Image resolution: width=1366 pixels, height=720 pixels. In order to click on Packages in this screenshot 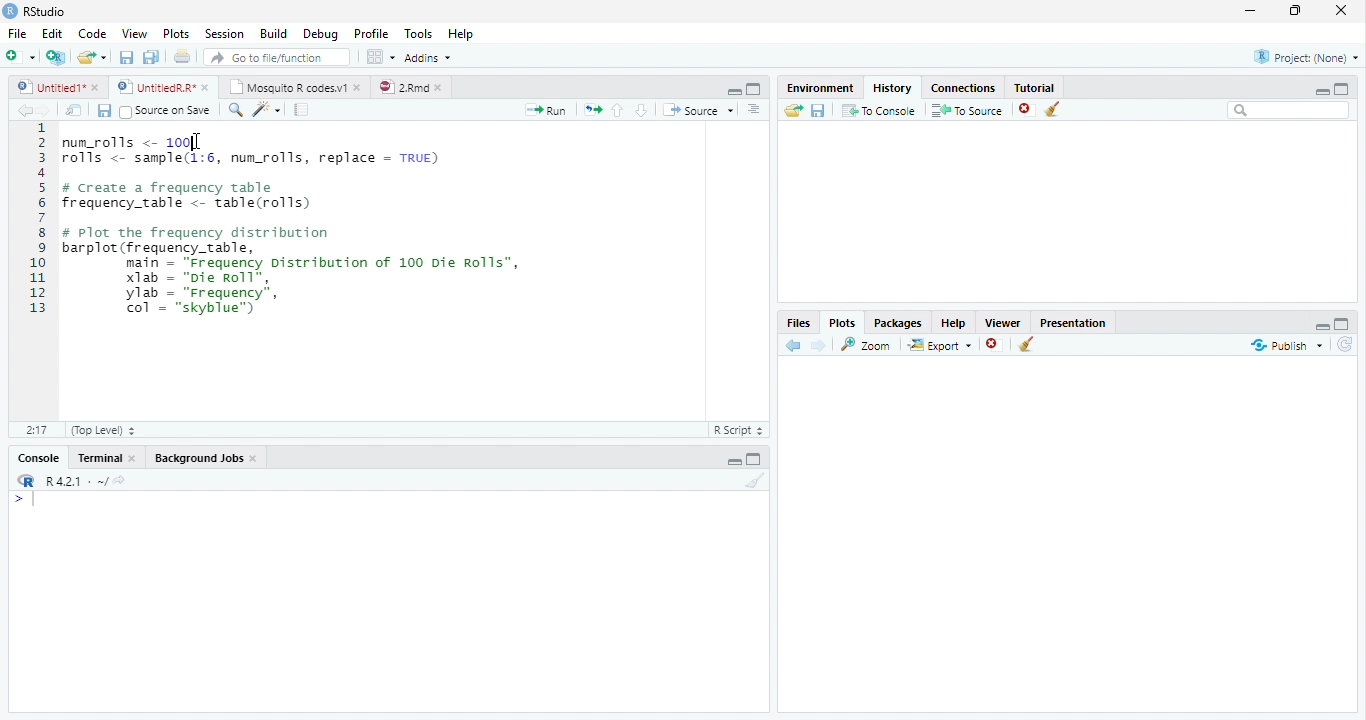, I will do `click(899, 322)`.